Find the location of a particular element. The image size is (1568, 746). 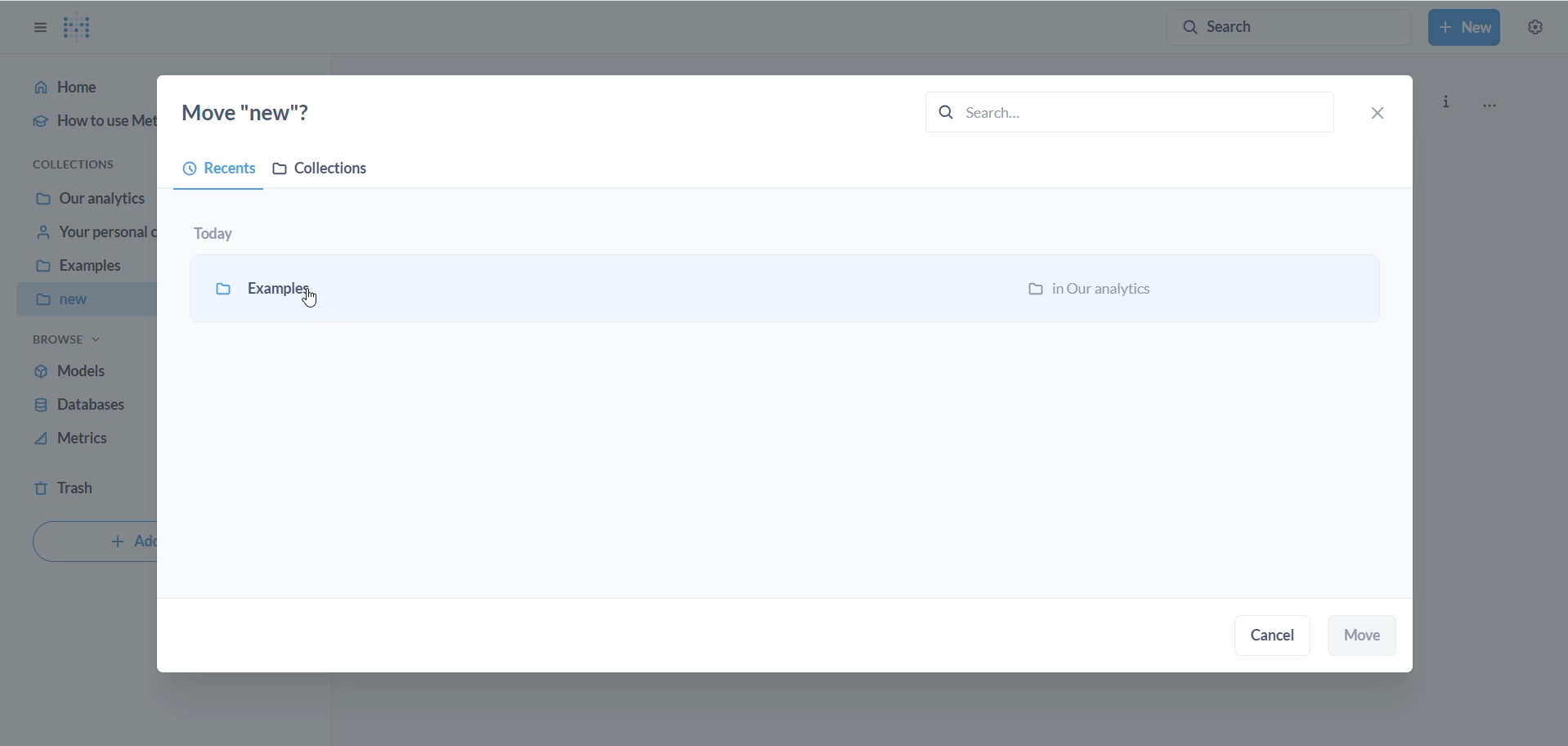

new is located at coordinates (84, 300).